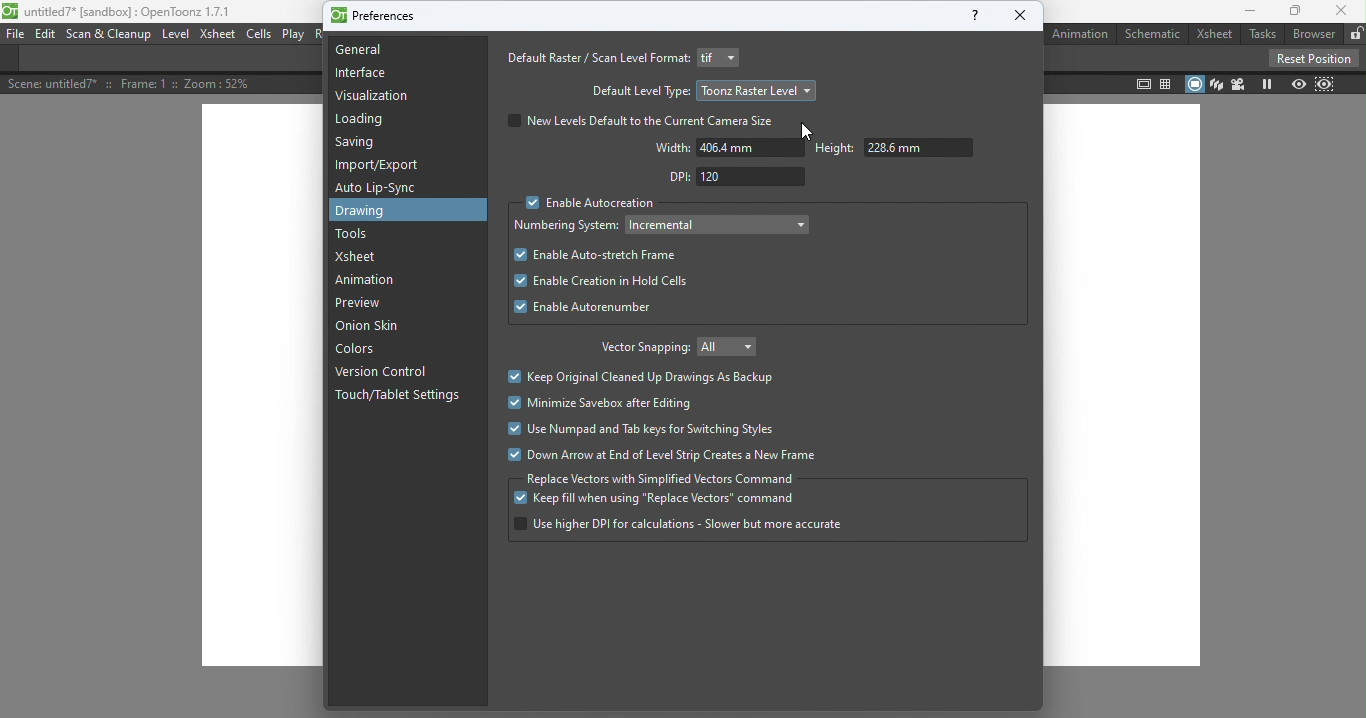 The height and width of the screenshot is (718, 1366). What do you see at coordinates (639, 348) in the screenshot?
I see `Vector snapping` at bounding box center [639, 348].